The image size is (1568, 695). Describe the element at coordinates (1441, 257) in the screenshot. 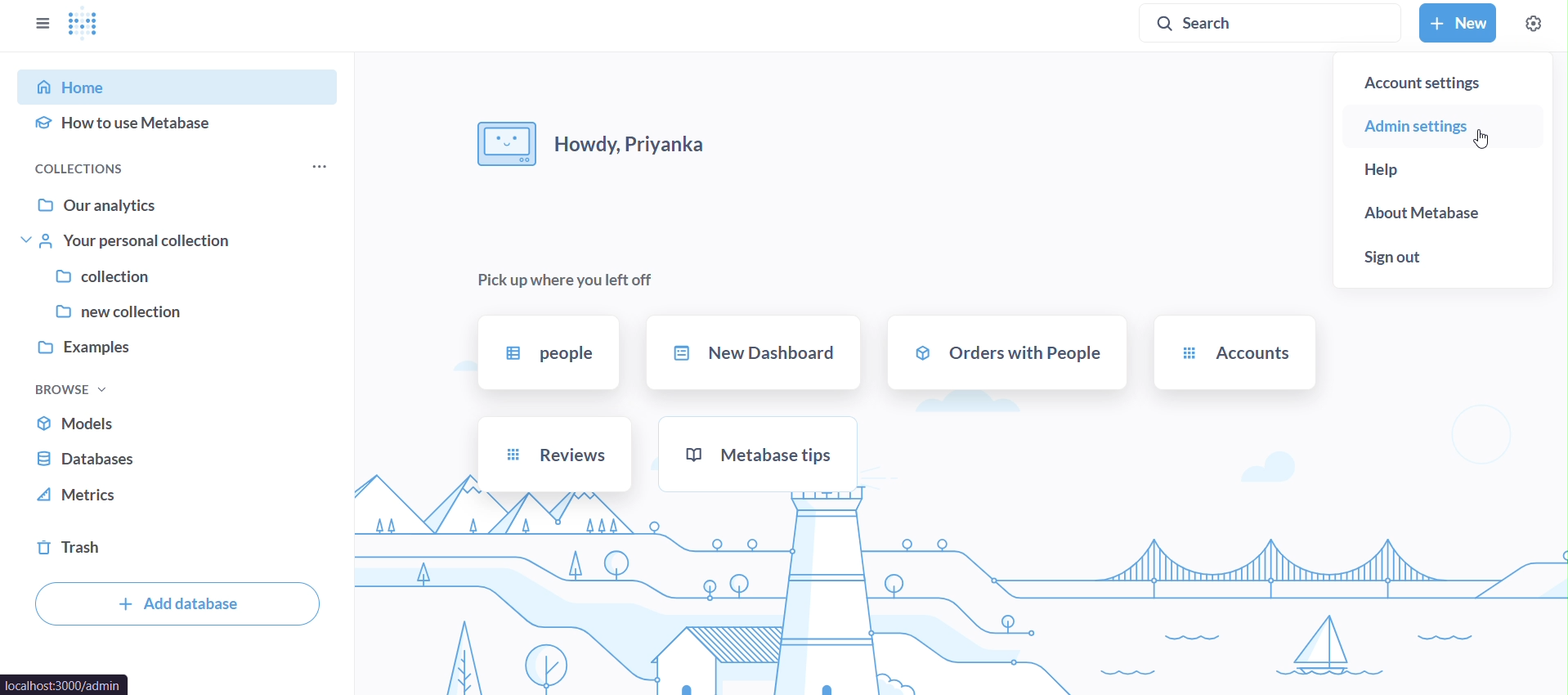

I see `Sign out` at that location.